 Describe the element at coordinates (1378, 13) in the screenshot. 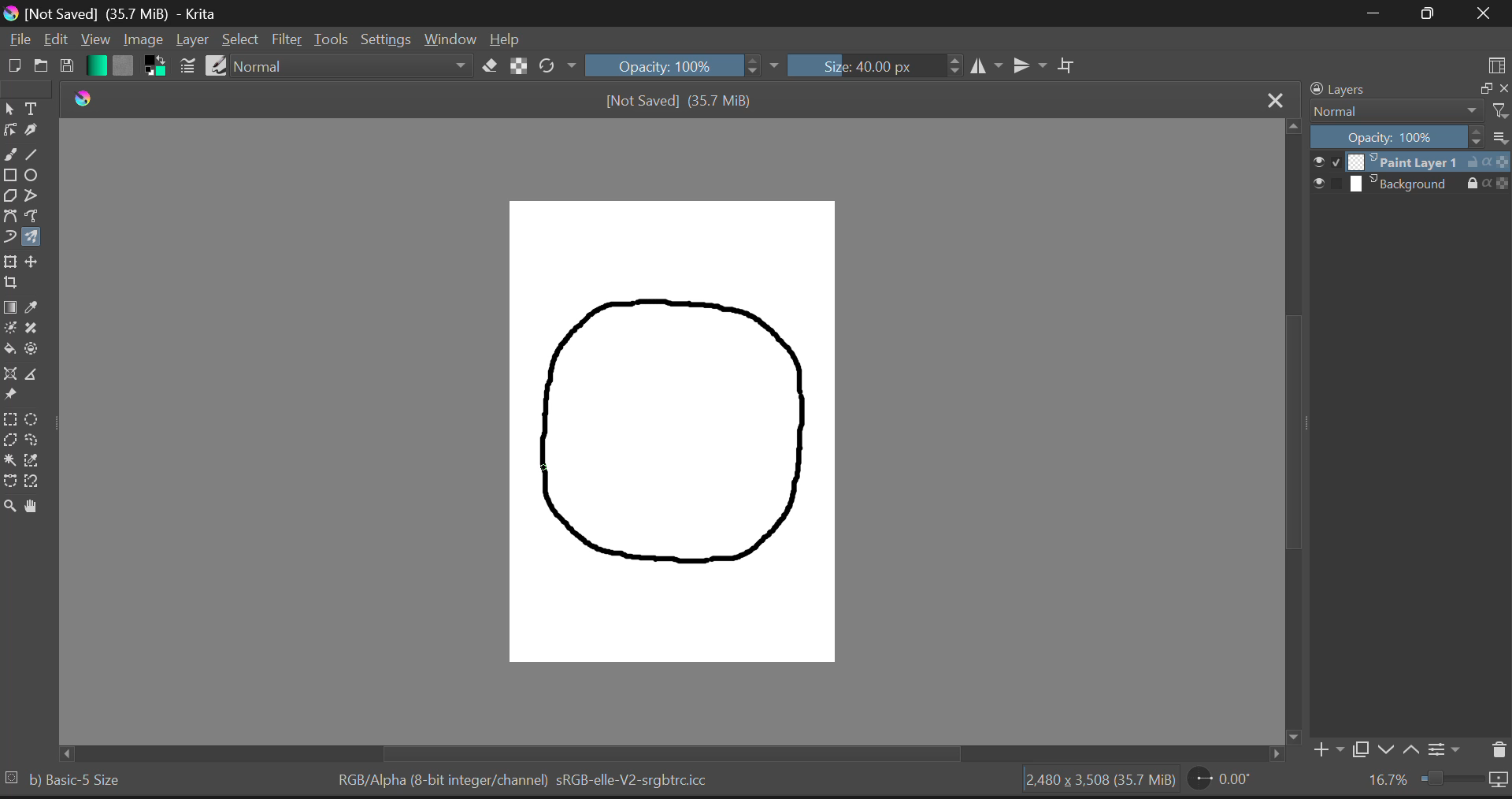

I see `Restore Down` at that location.